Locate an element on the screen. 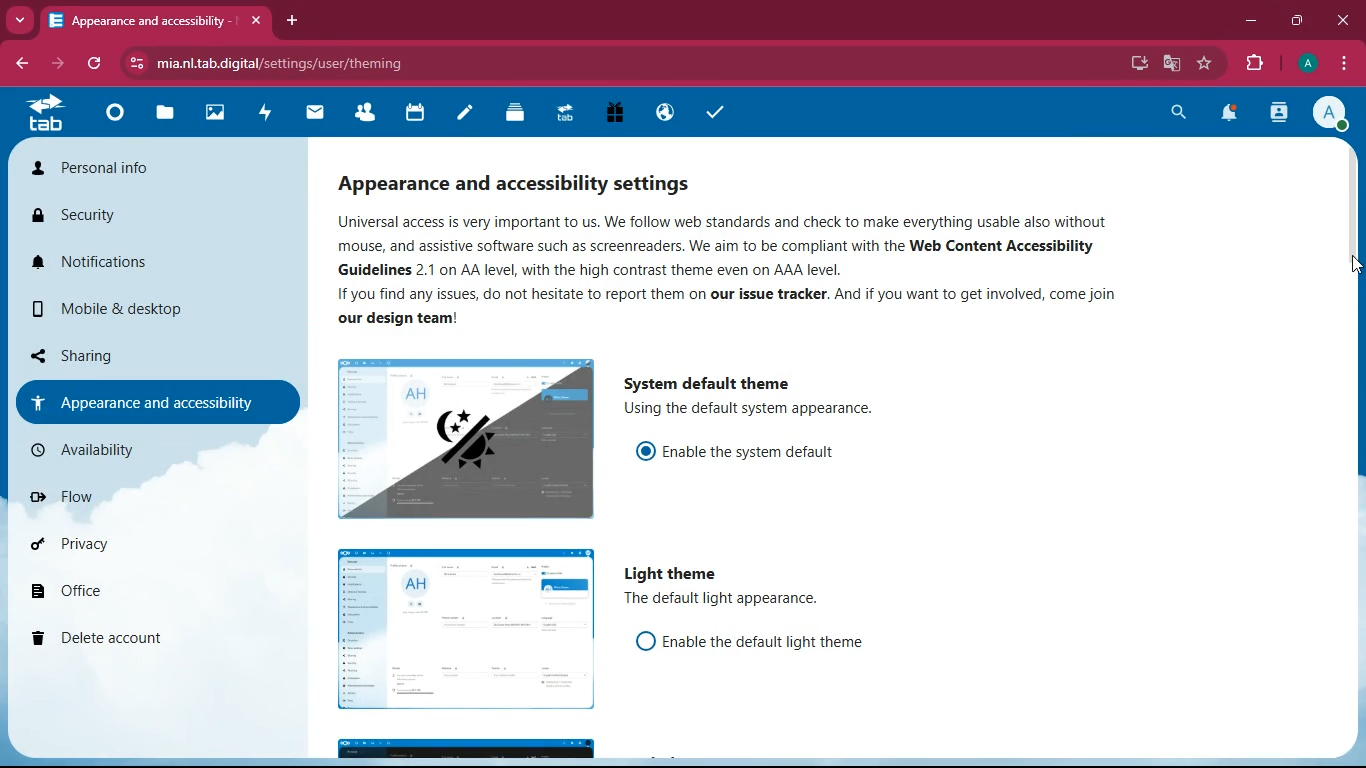  appearance is located at coordinates (146, 401).